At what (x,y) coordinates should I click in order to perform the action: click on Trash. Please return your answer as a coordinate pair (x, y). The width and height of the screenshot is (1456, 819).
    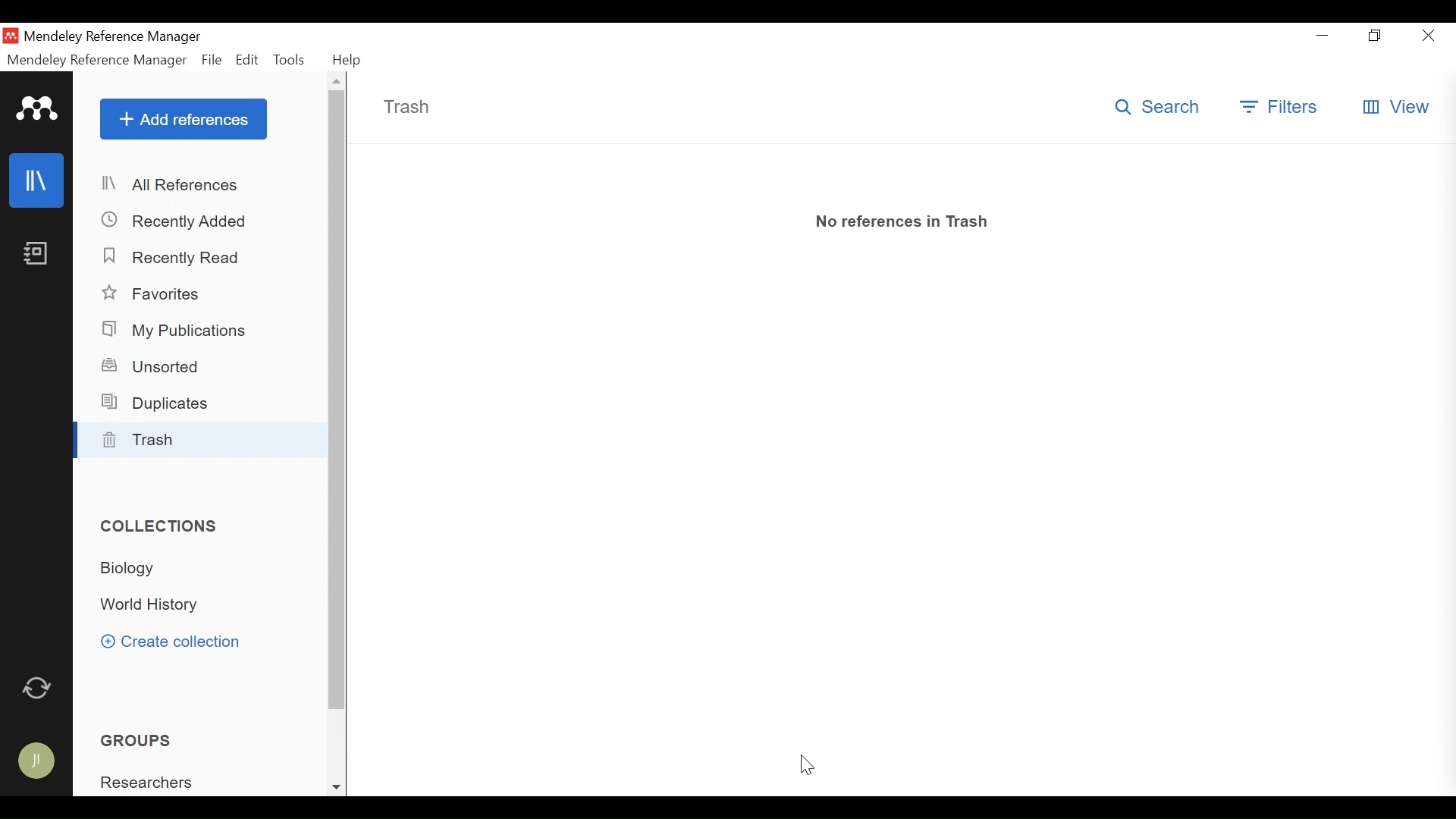
    Looking at the image, I should click on (202, 439).